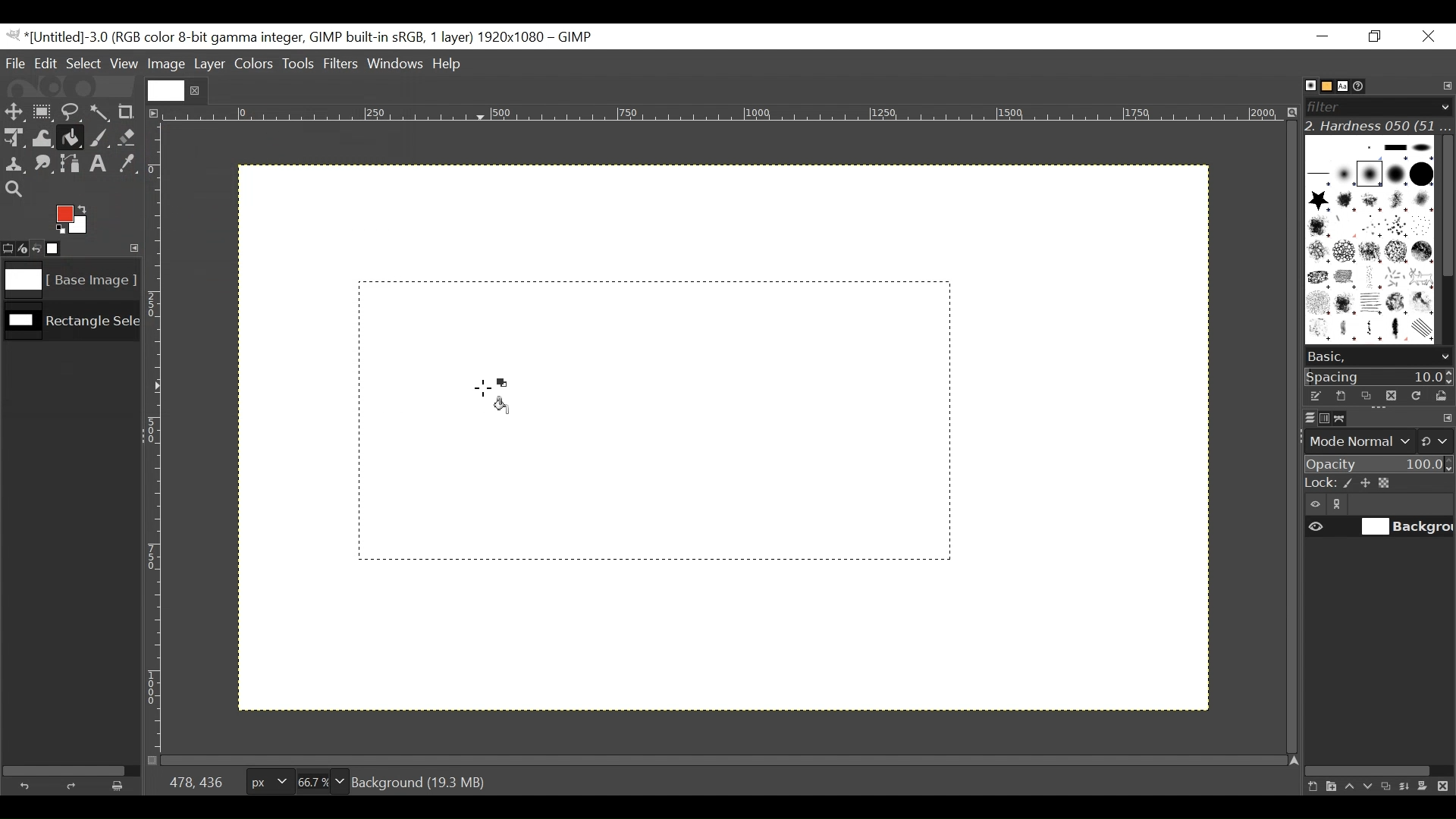  Describe the element at coordinates (1408, 786) in the screenshot. I see `merge the layer` at that location.